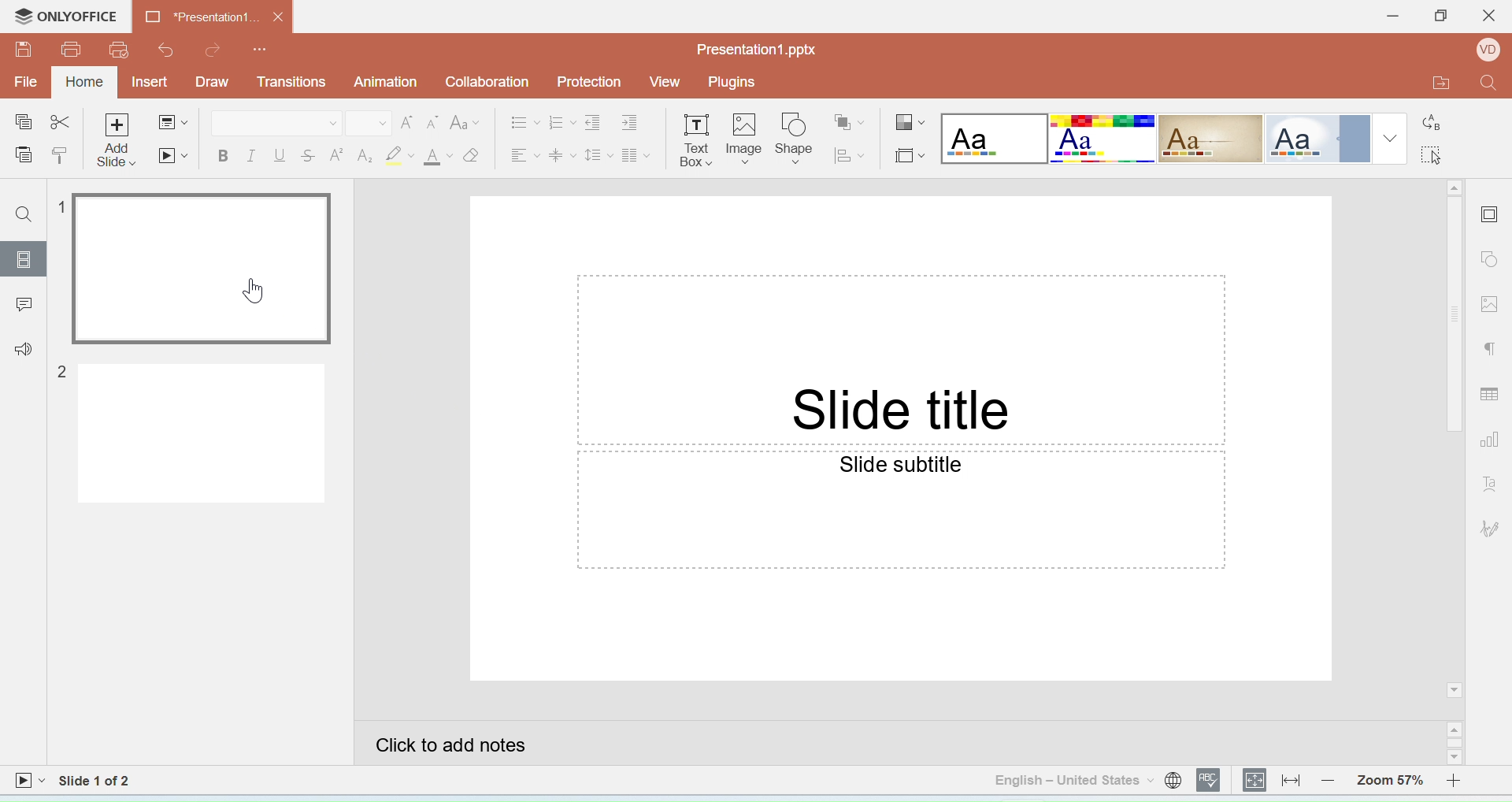 The width and height of the screenshot is (1512, 802). What do you see at coordinates (637, 120) in the screenshot?
I see `Increase indent` at bounding box center [637, 120].